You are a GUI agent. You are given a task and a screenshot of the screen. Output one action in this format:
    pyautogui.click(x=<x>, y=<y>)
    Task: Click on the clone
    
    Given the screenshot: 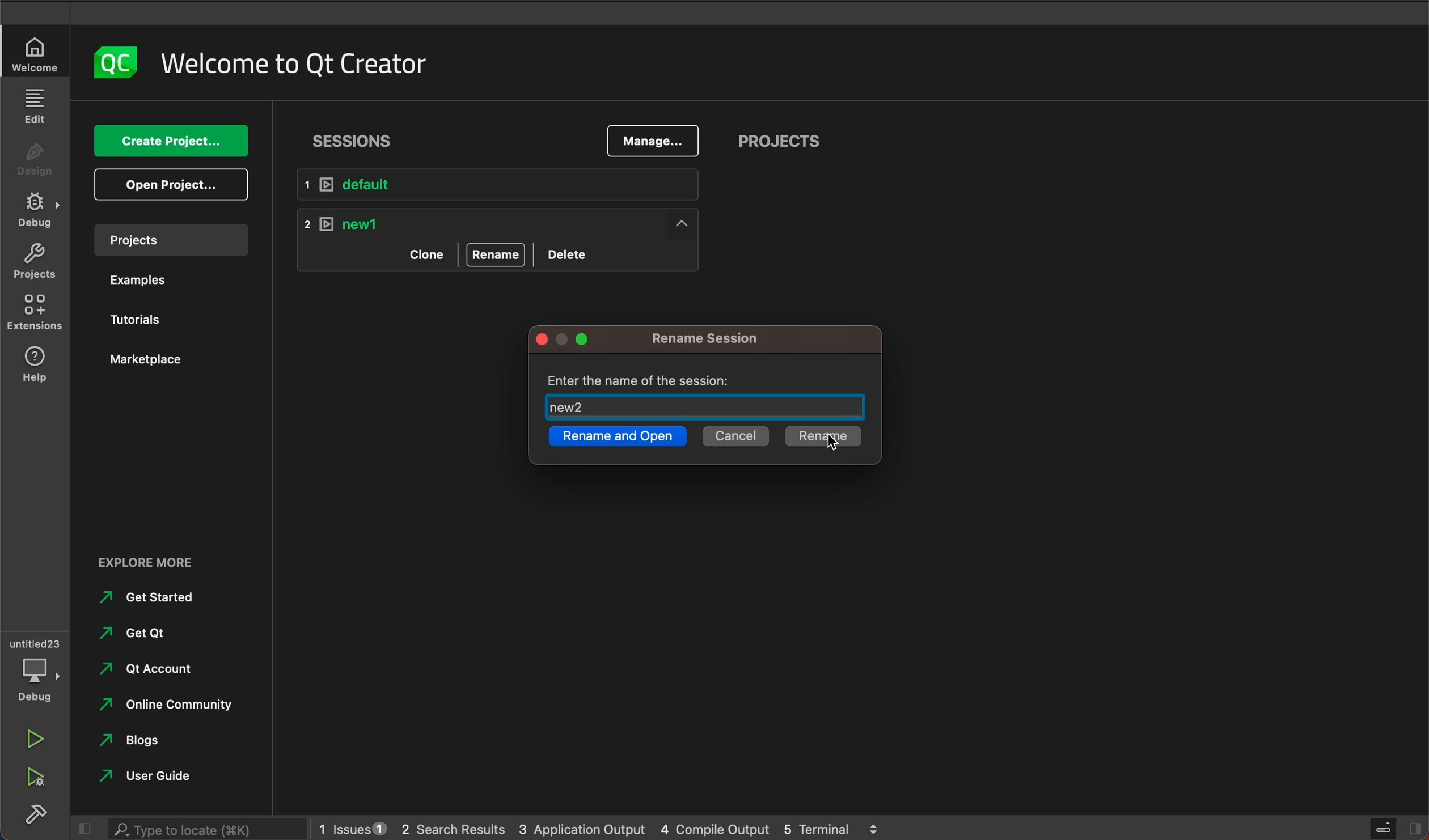 What is the action you would take?
    pyautogui.click(x=425, y=253)
    